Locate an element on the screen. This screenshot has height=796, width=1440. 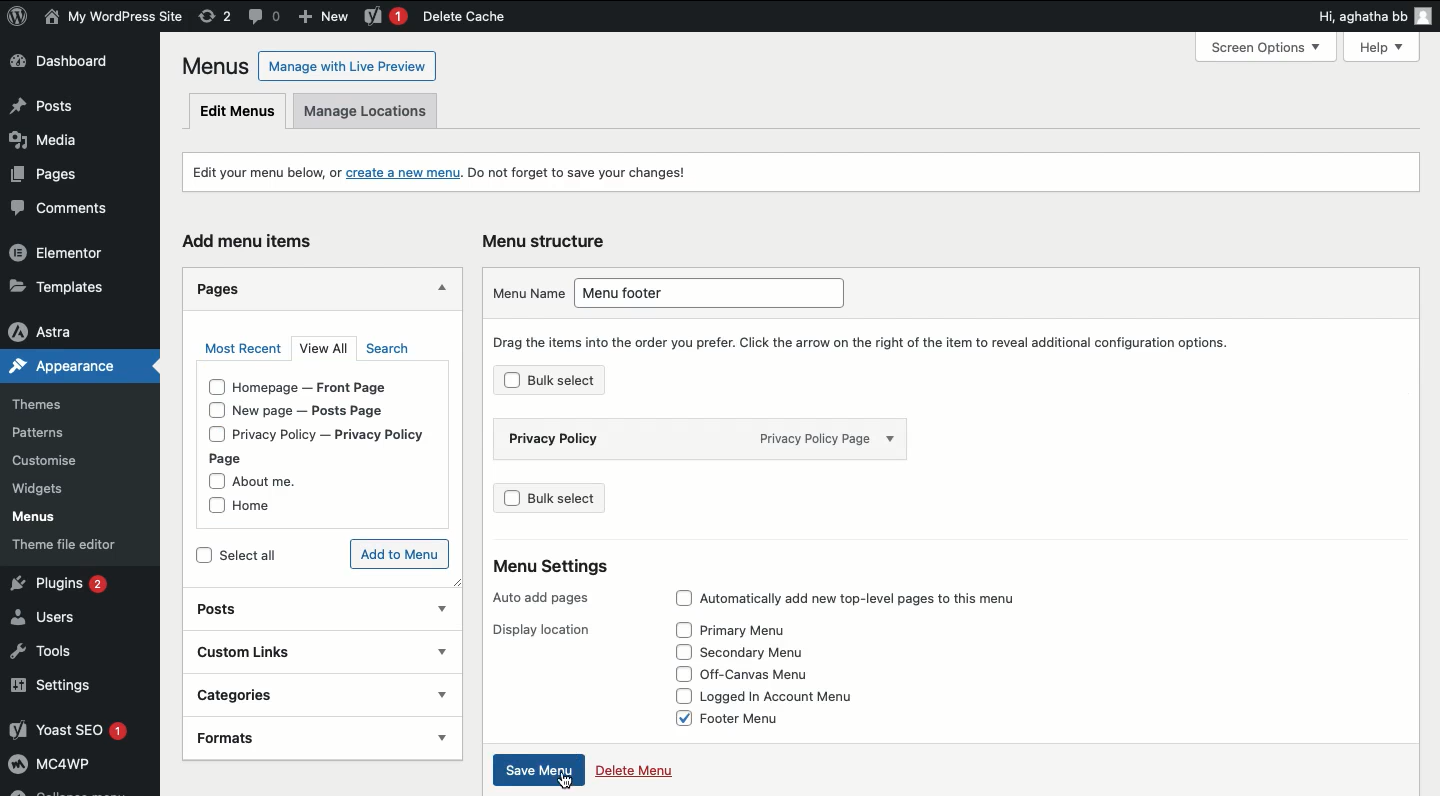
 Primary Menu is located at coordinates (769, 630).